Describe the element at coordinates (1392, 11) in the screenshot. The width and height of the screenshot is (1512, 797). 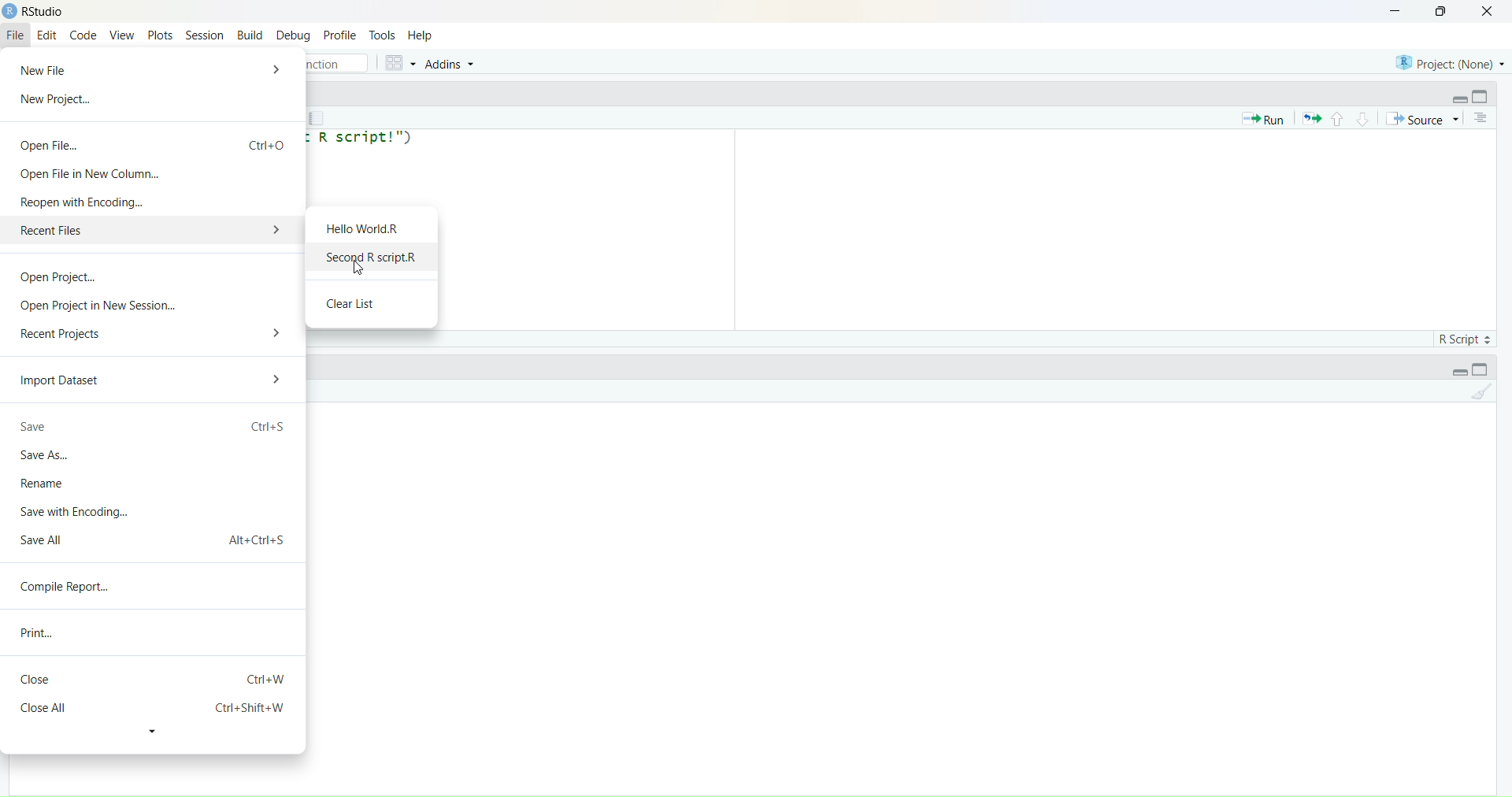
I see `Minimize` at that location.